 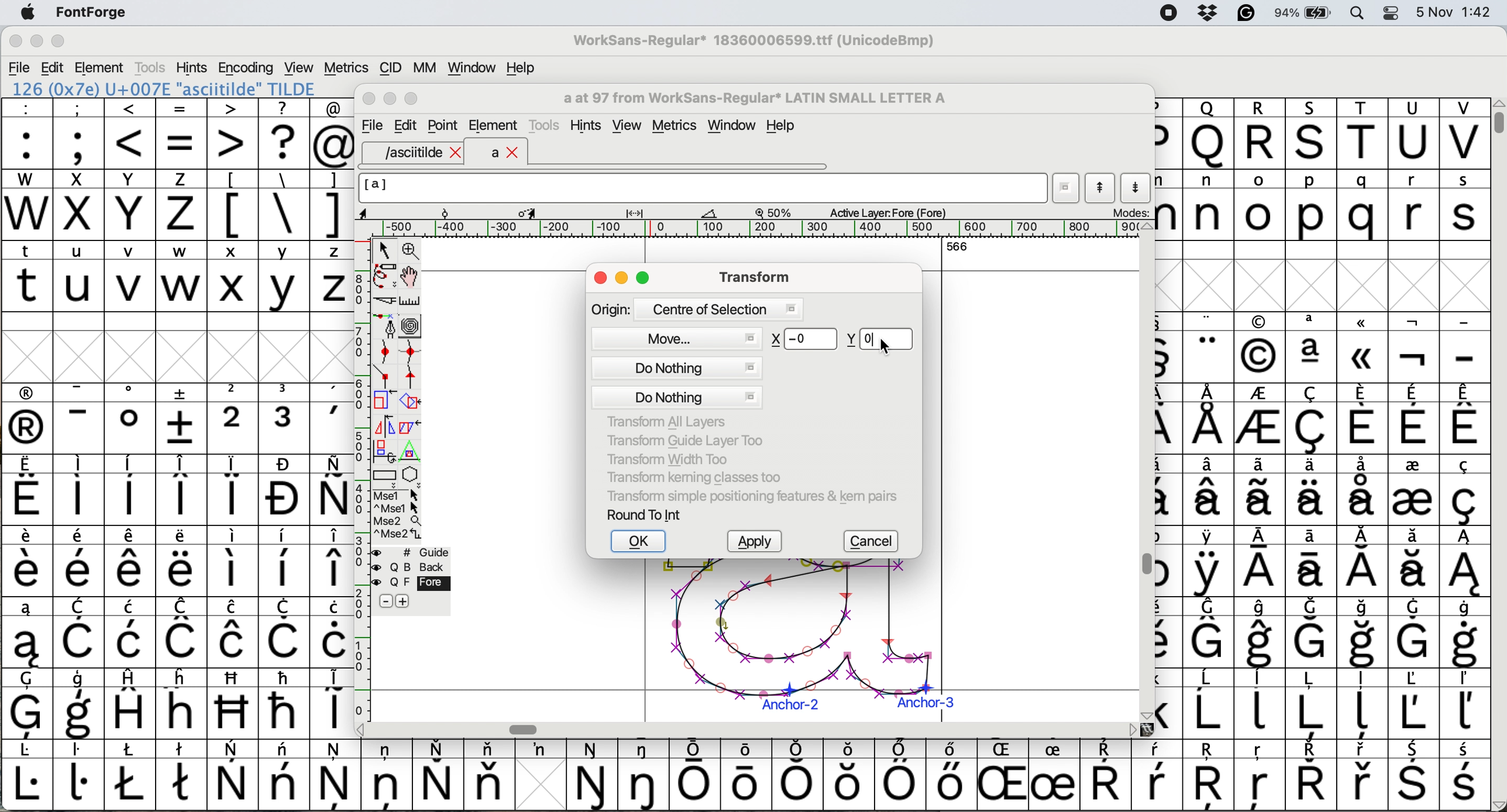 I want to click on symbol, so click(x=332, y=562).